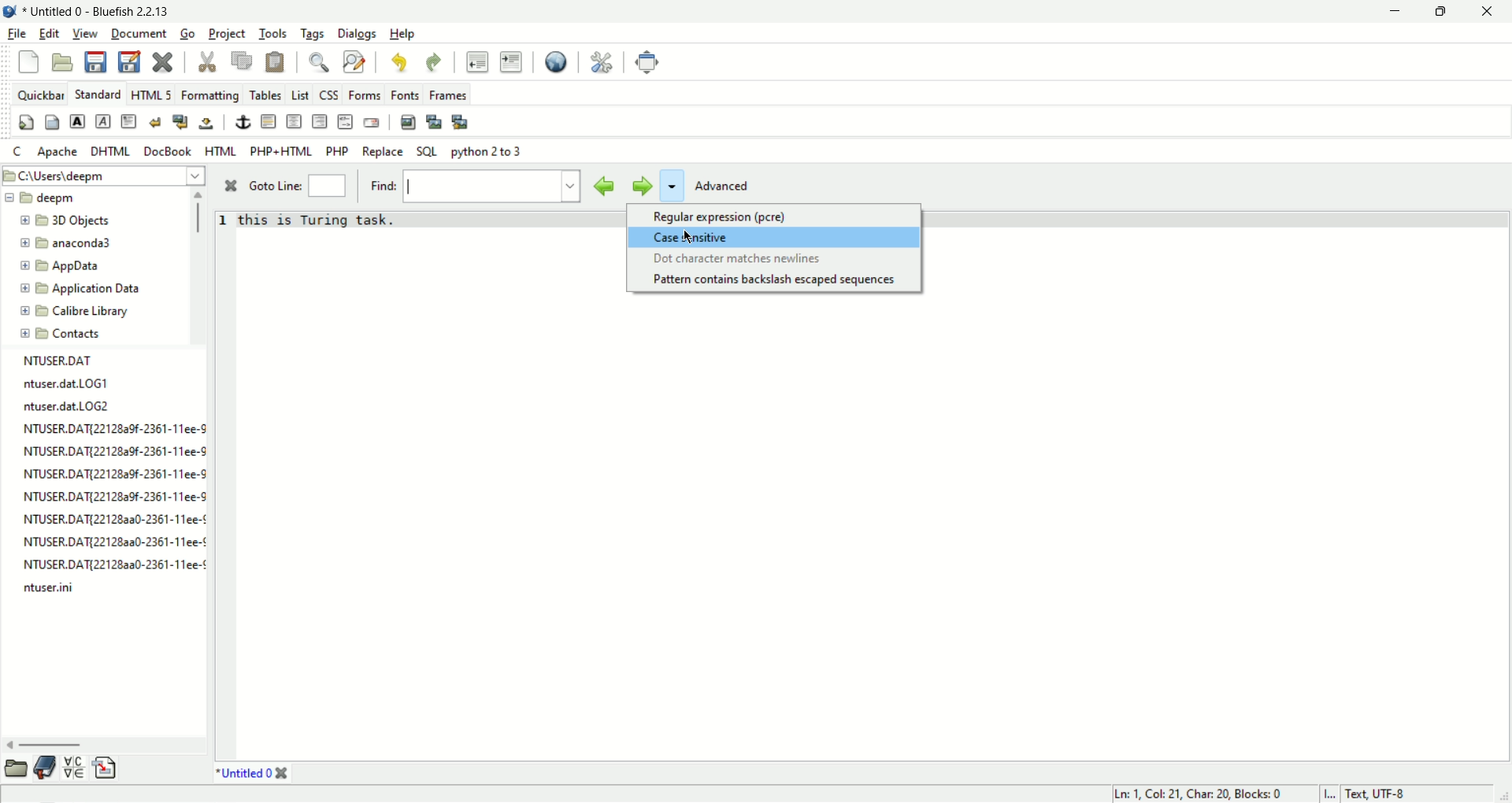 This screenshot has height=803, width=1512. What do you see at coordinates (319, 220) in the screenshot?
I see `this is Turing task.` at bounding box center [319, 220].